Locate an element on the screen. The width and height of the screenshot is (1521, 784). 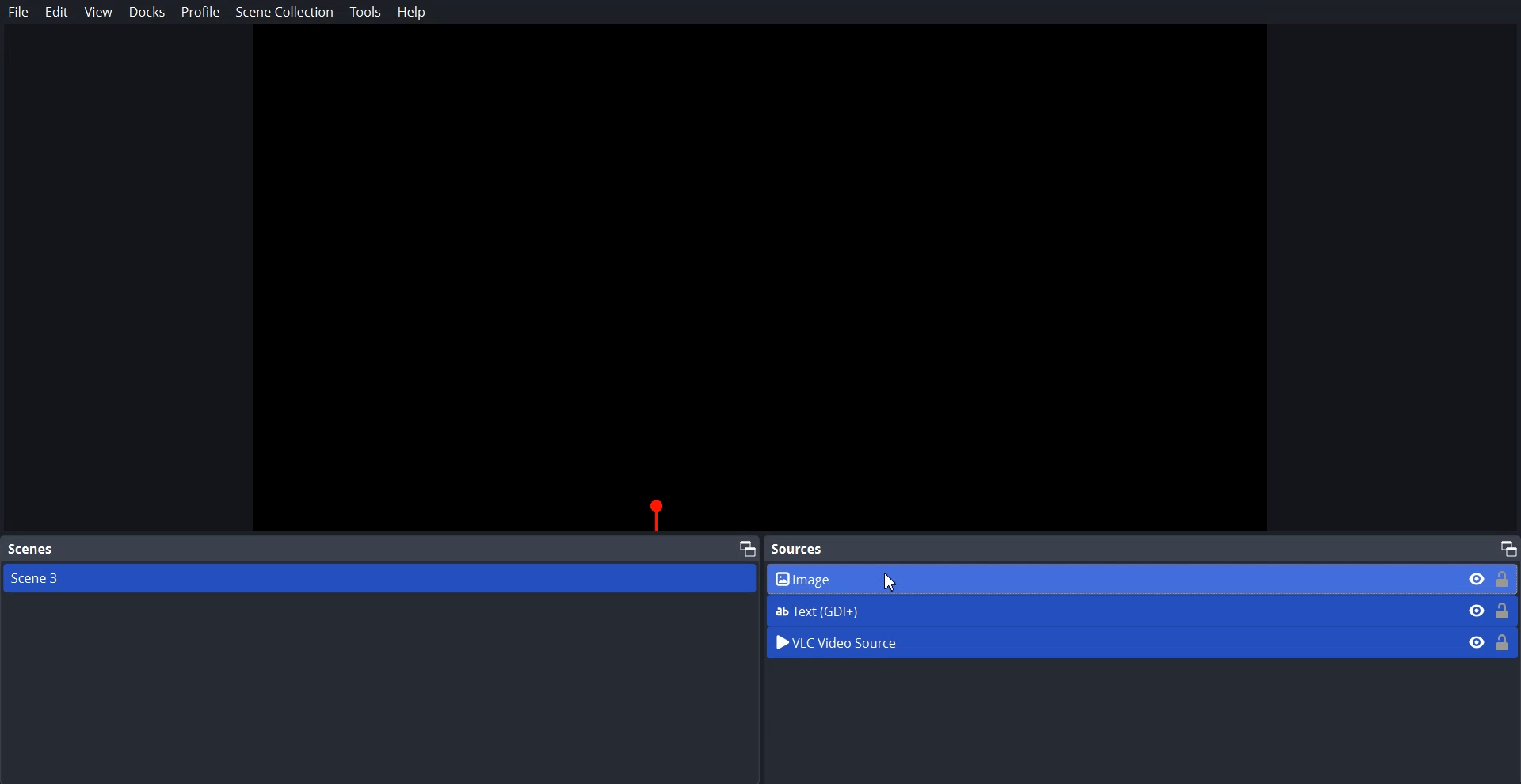
Help is located at coordinates (412, 12).